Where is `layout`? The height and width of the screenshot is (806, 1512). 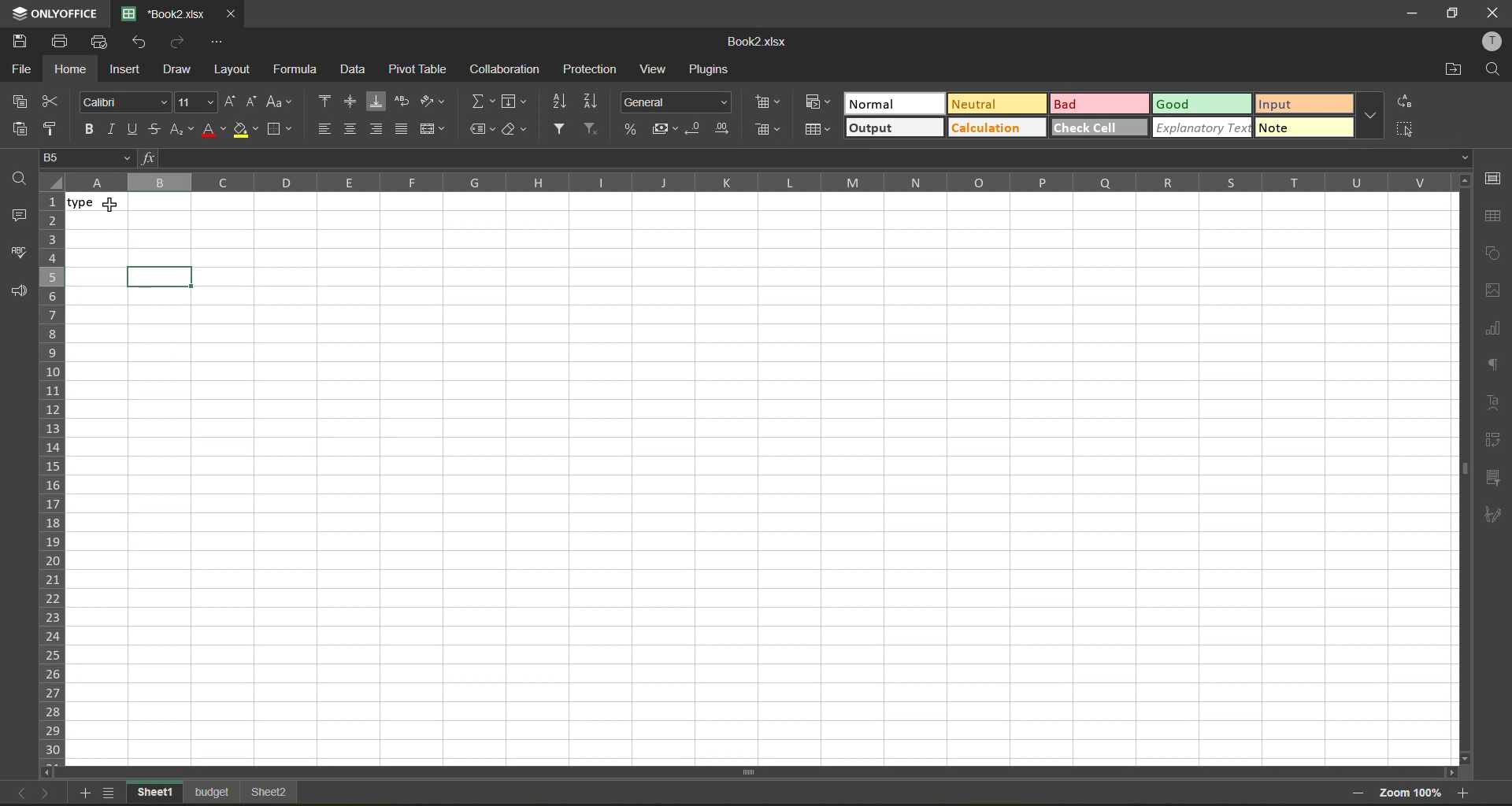
layout is located at coordinates (236, 69).